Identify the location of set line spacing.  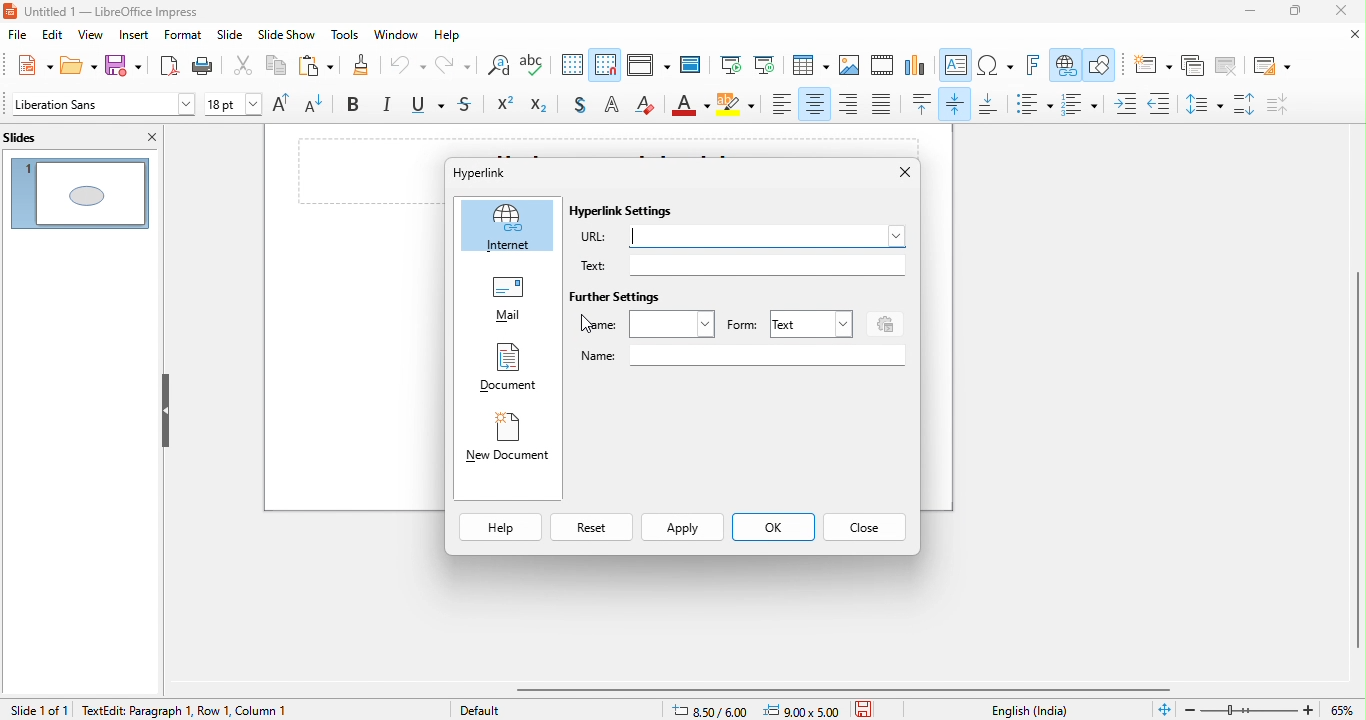
(1202, 103).